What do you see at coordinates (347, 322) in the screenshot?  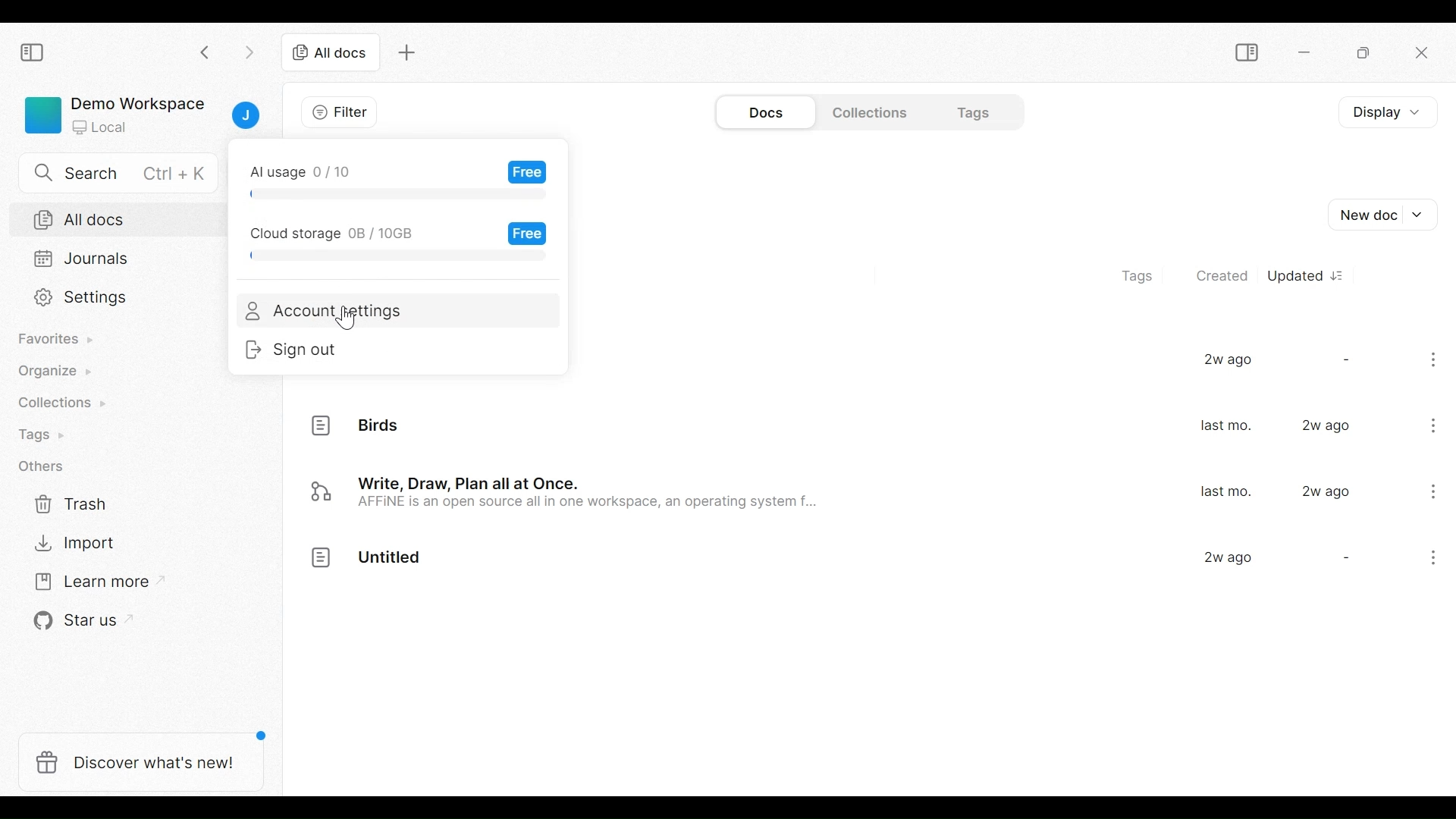 I see `cursor` at bounding box center [347, 322].